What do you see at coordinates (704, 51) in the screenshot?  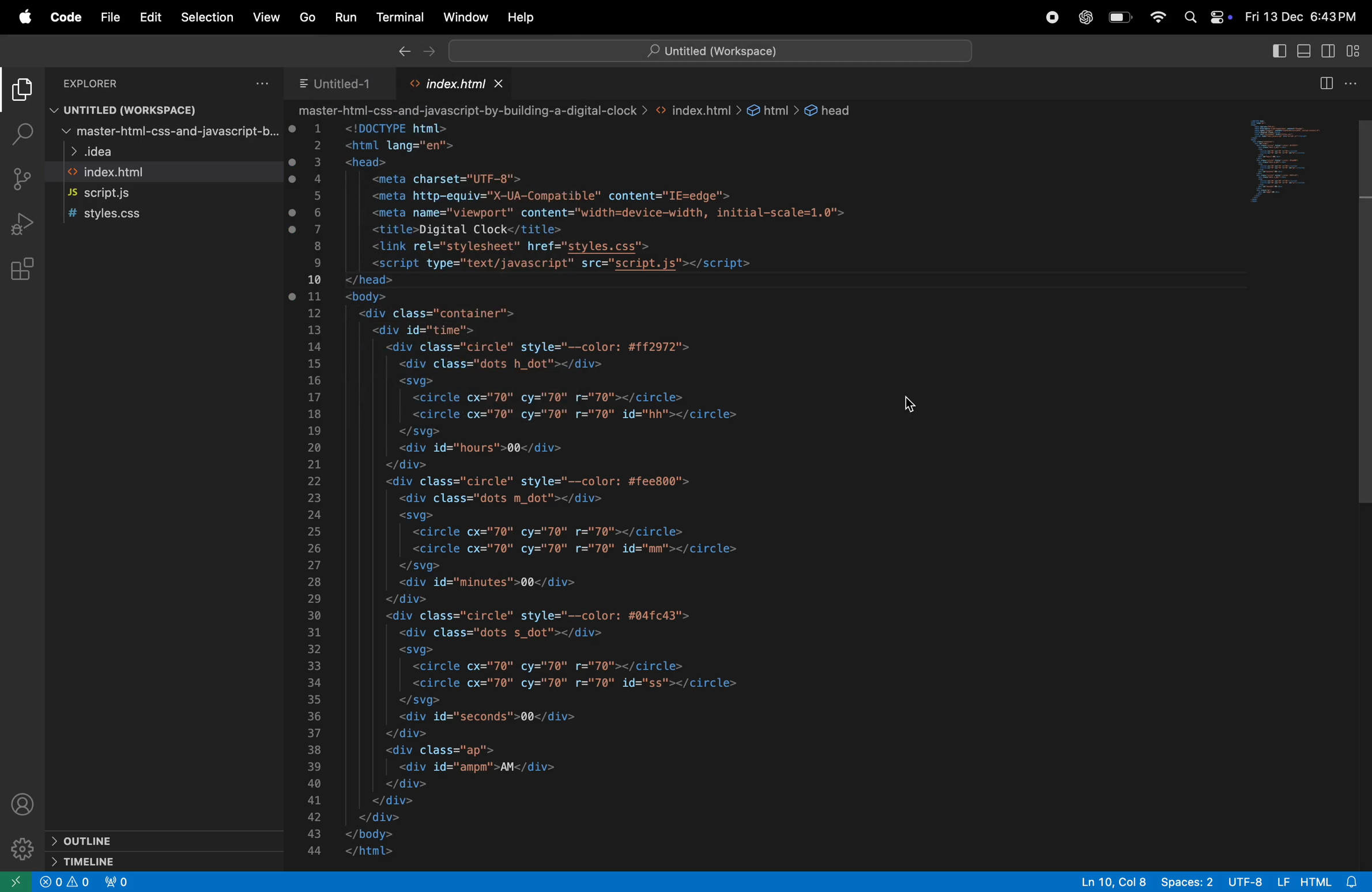 I see `search bar` at bounding box center [704, 51].